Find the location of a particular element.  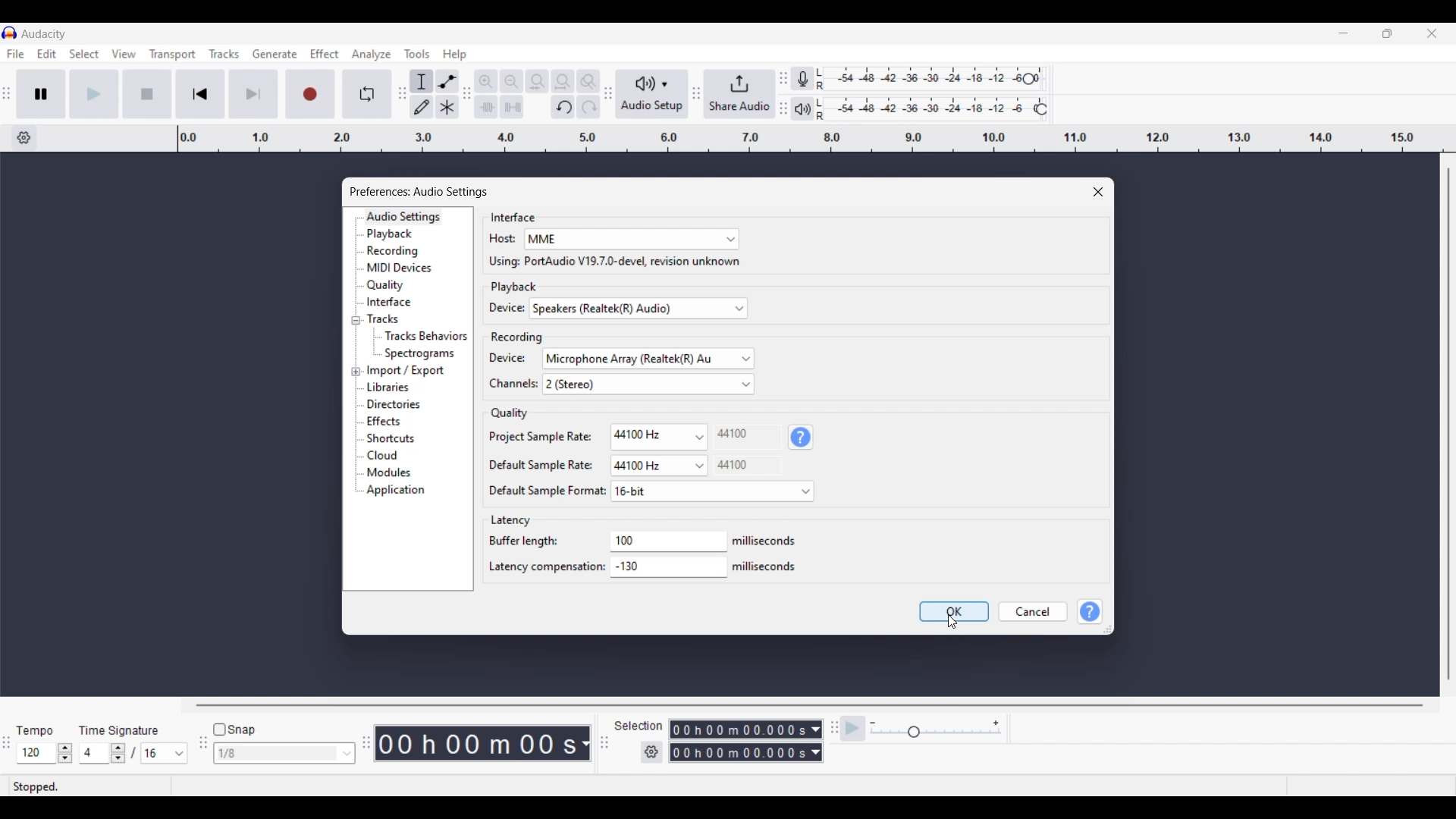

View menu is located at coordinates (124, 54).